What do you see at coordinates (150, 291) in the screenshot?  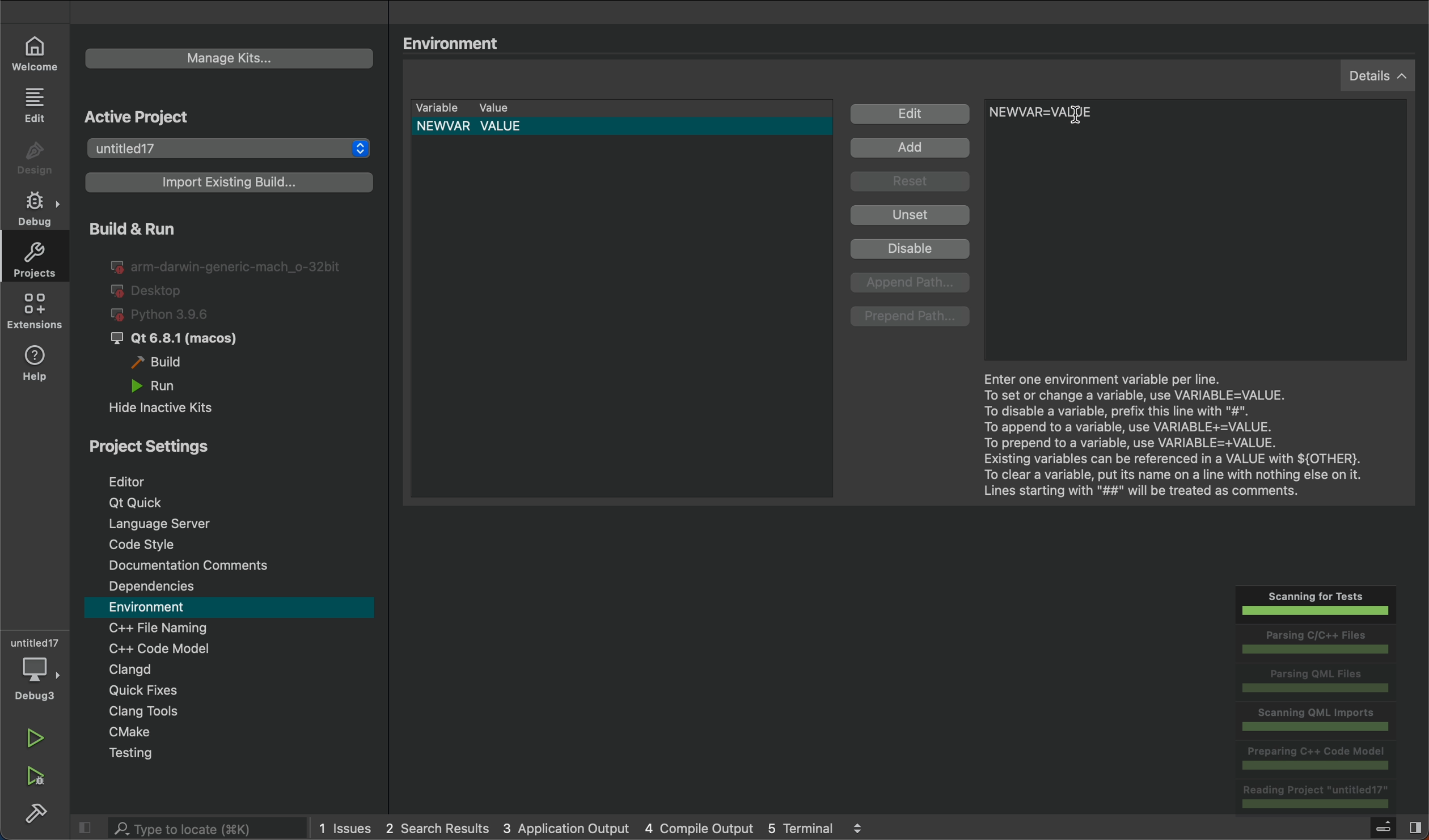 I see `desktop` at bounding box center [150, 291].